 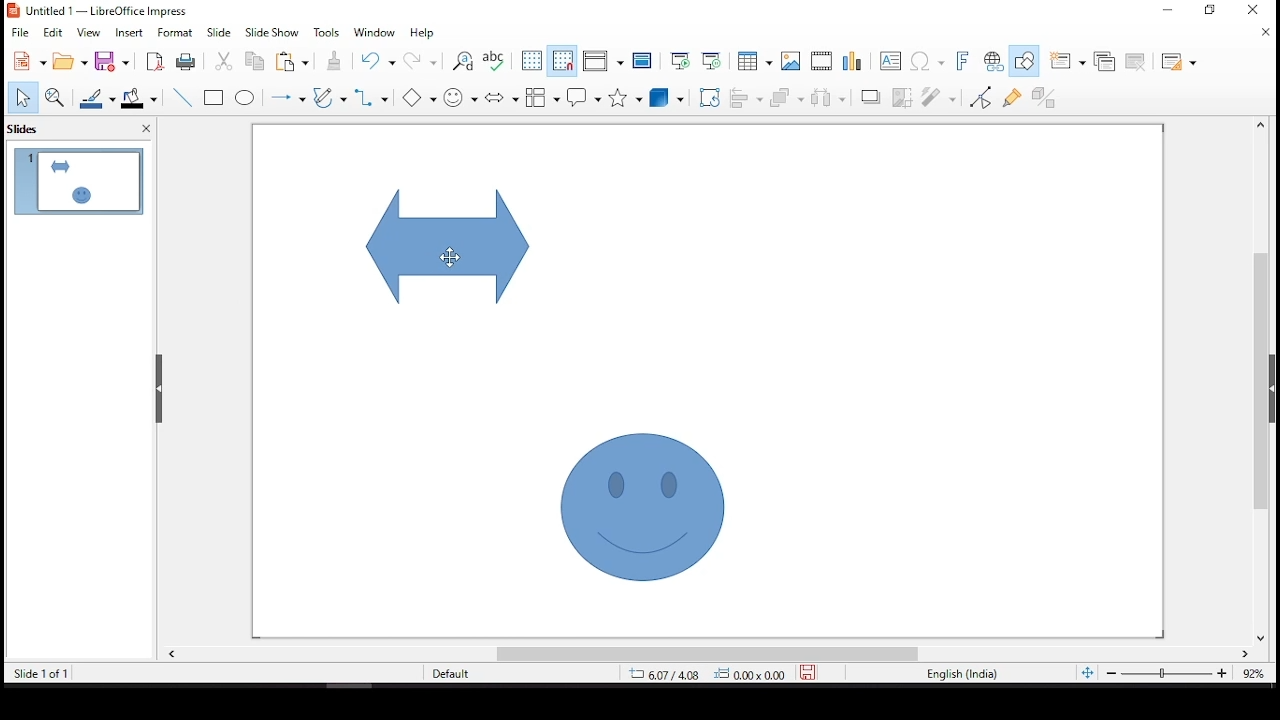 What do you see at coordinates (711, 97) in the screenshot?
I see `rotate` at bounding box center [711, 97].